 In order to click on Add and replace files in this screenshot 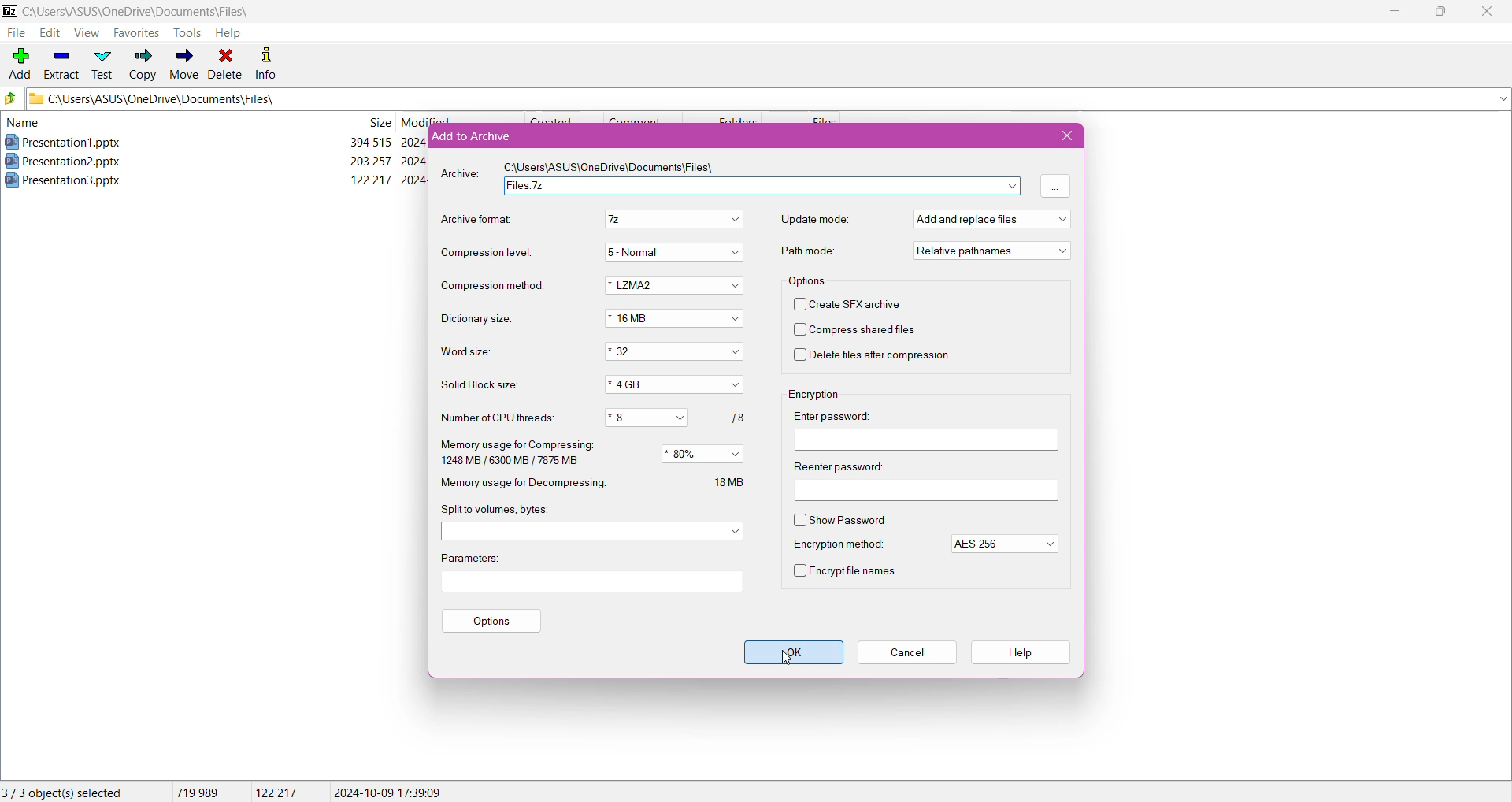, I will do `click(996, 218)`.